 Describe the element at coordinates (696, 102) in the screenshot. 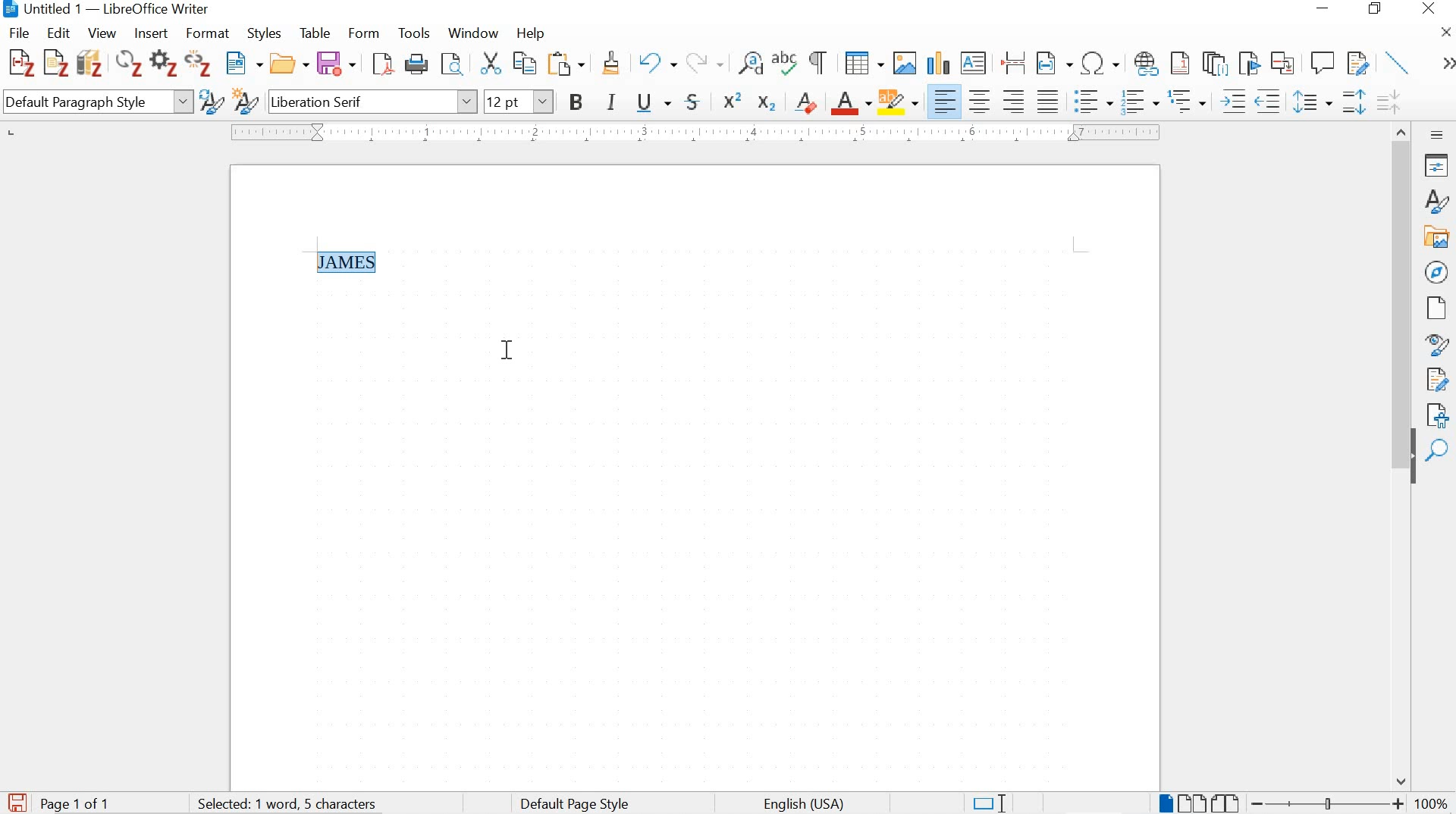

I see `strikethrough` at that location.